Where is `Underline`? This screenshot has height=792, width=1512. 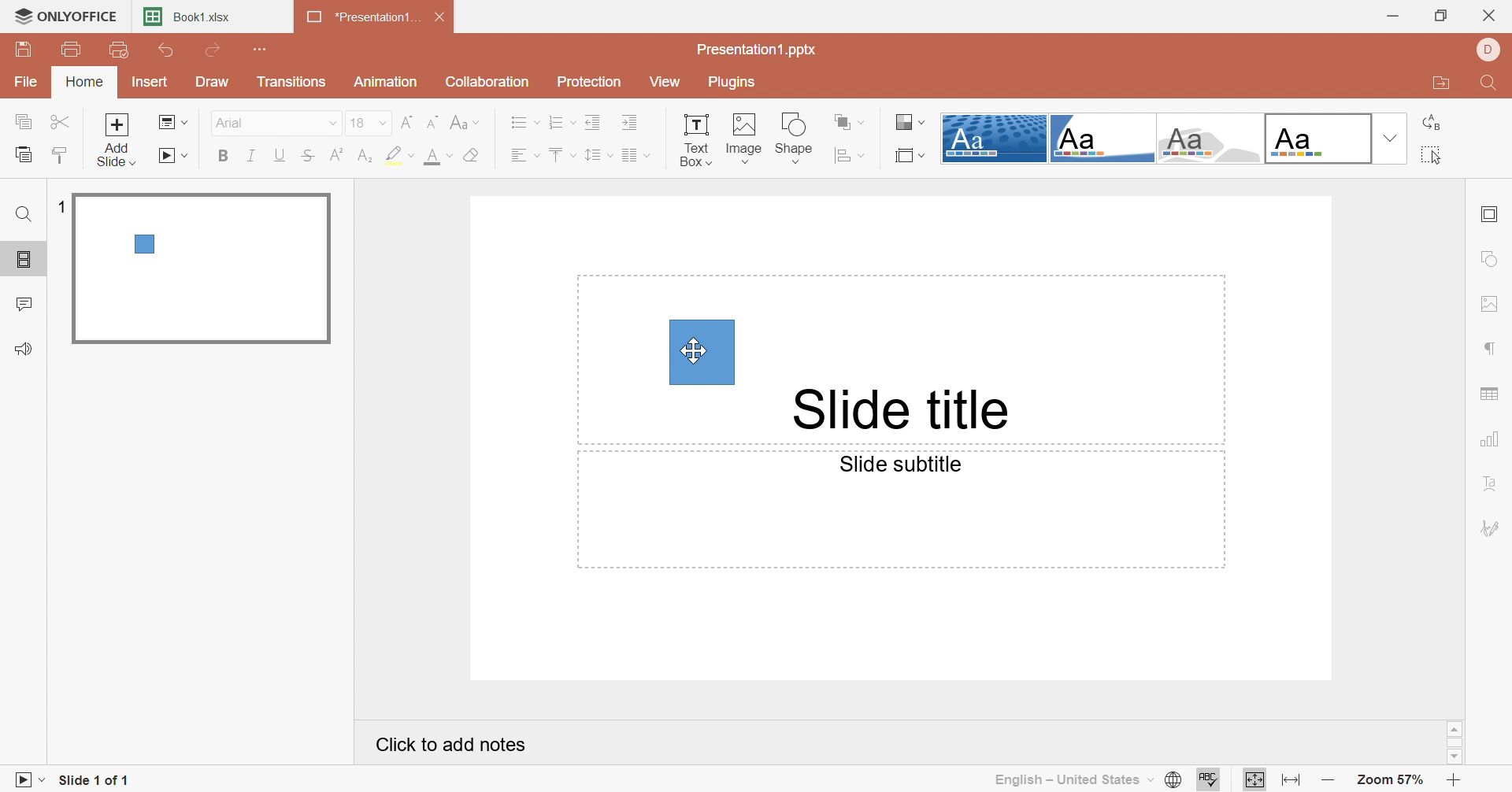
Underline is located at coordinates (280, 157).